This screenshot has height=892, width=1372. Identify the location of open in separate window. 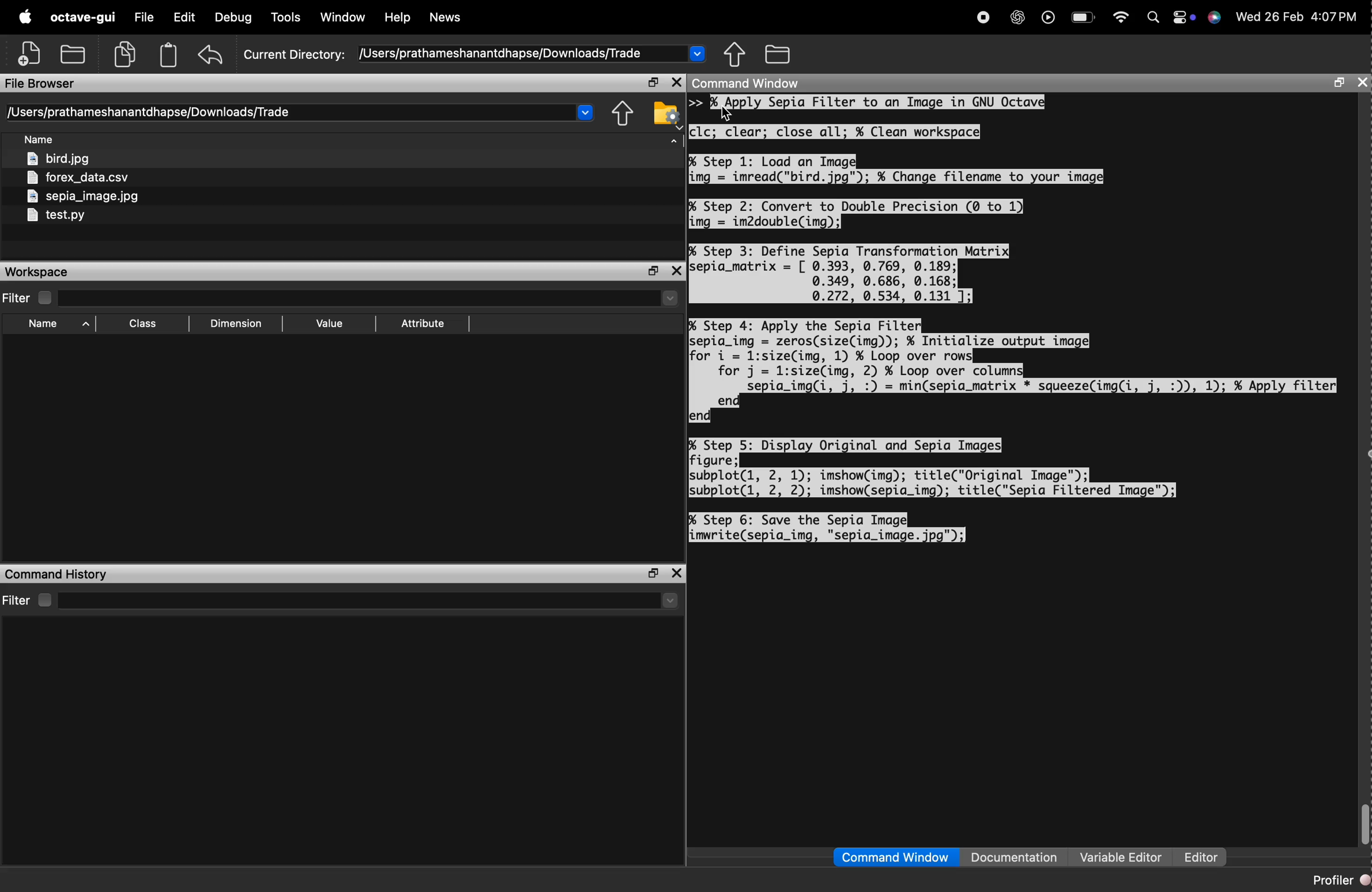
(654, 271).